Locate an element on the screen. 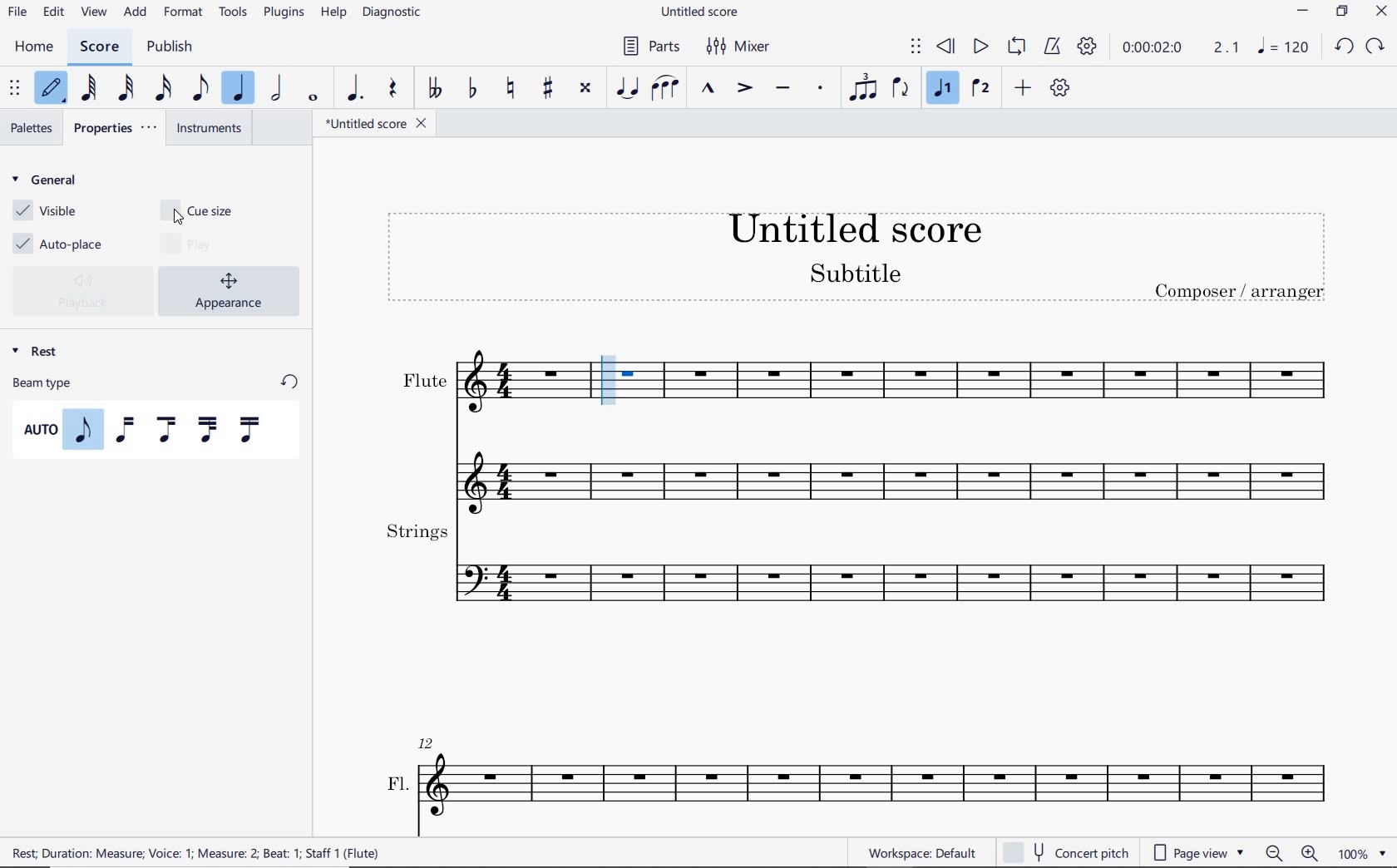 This screenshot has height=868, width=1397. AUGMENTATION DOT is located at coordinates (355, 89).